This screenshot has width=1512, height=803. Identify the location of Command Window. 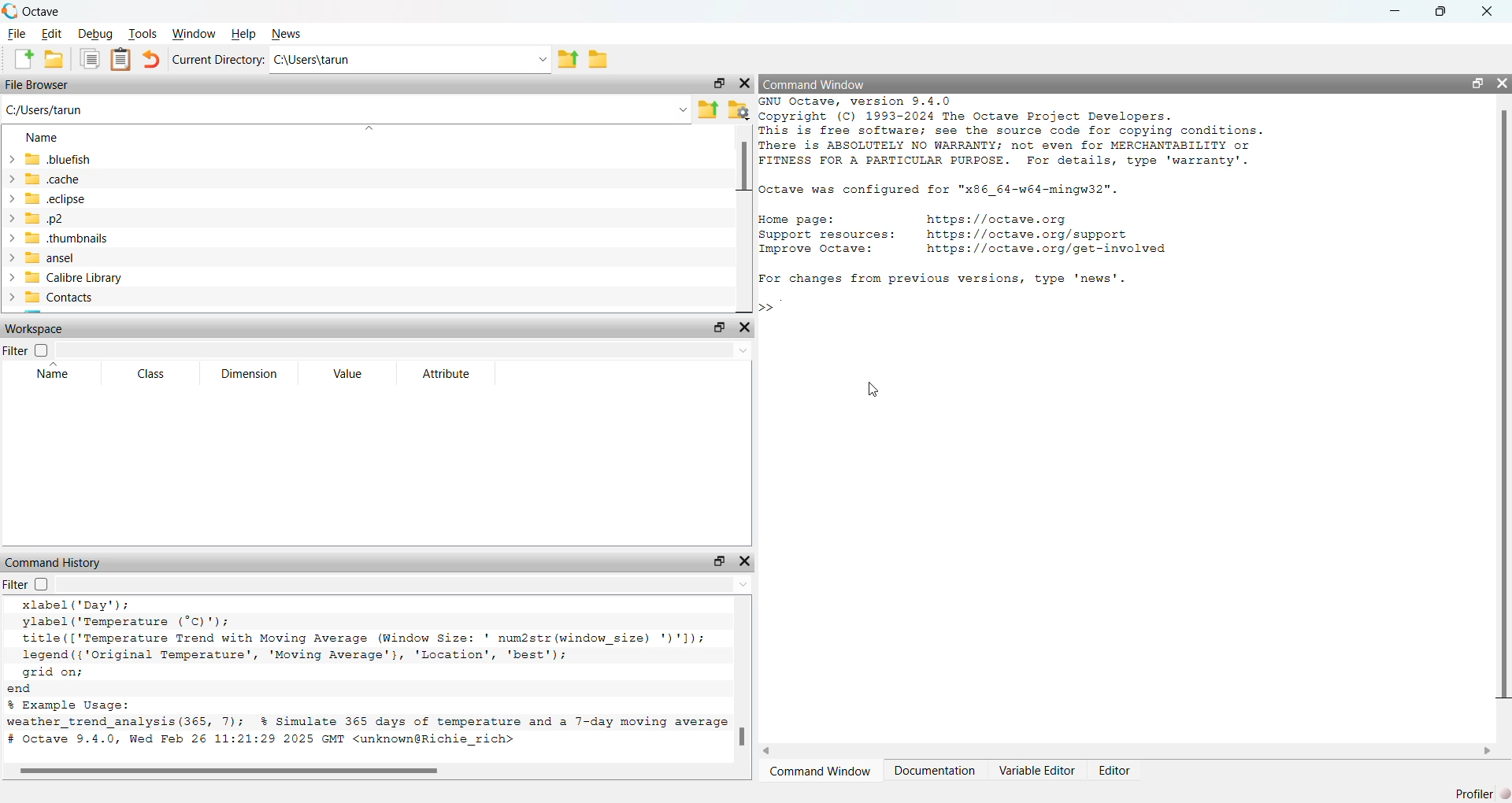
(819, 770).